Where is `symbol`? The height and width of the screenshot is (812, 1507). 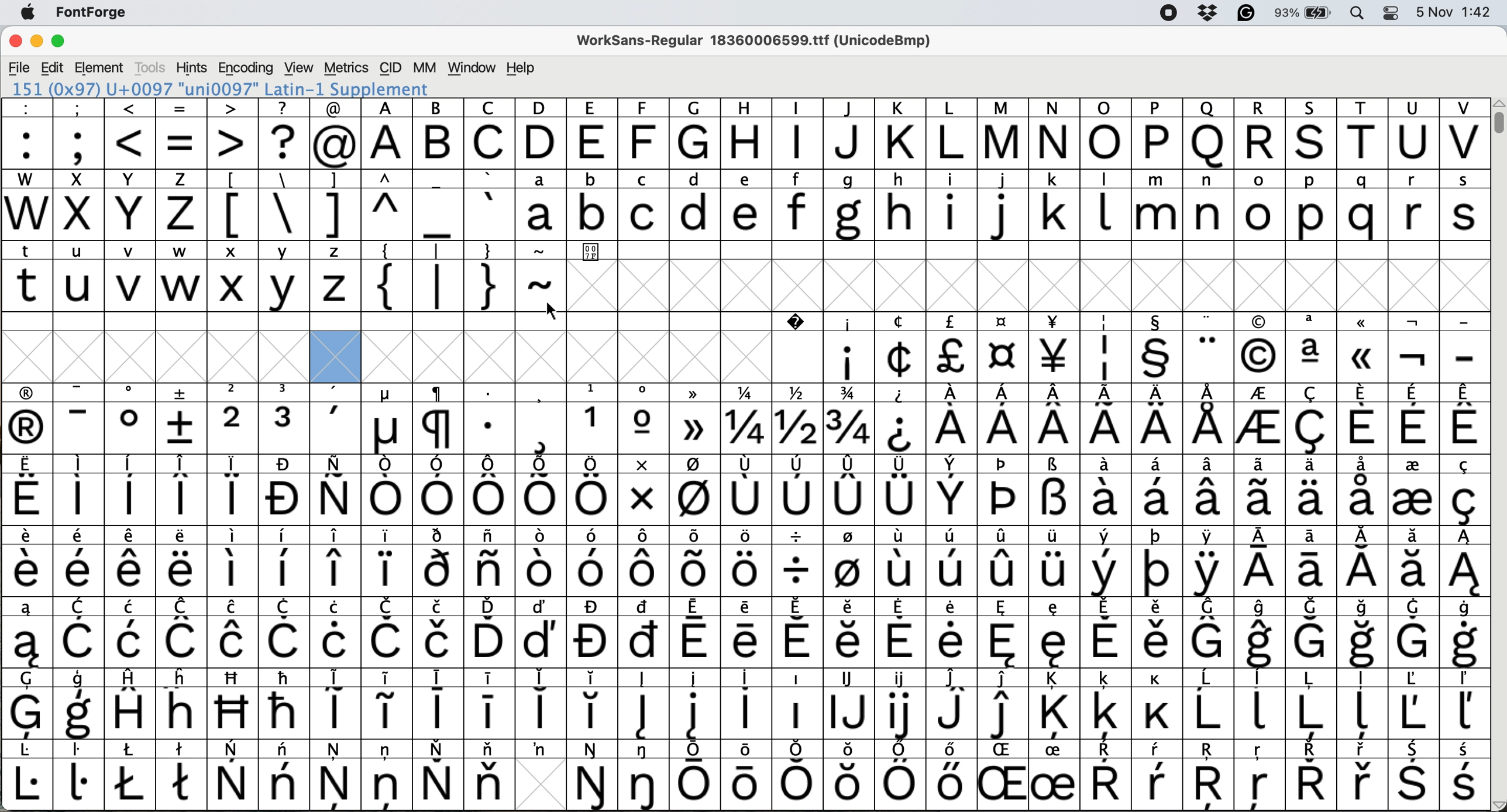
symbol is located at coordinates (900, 775).